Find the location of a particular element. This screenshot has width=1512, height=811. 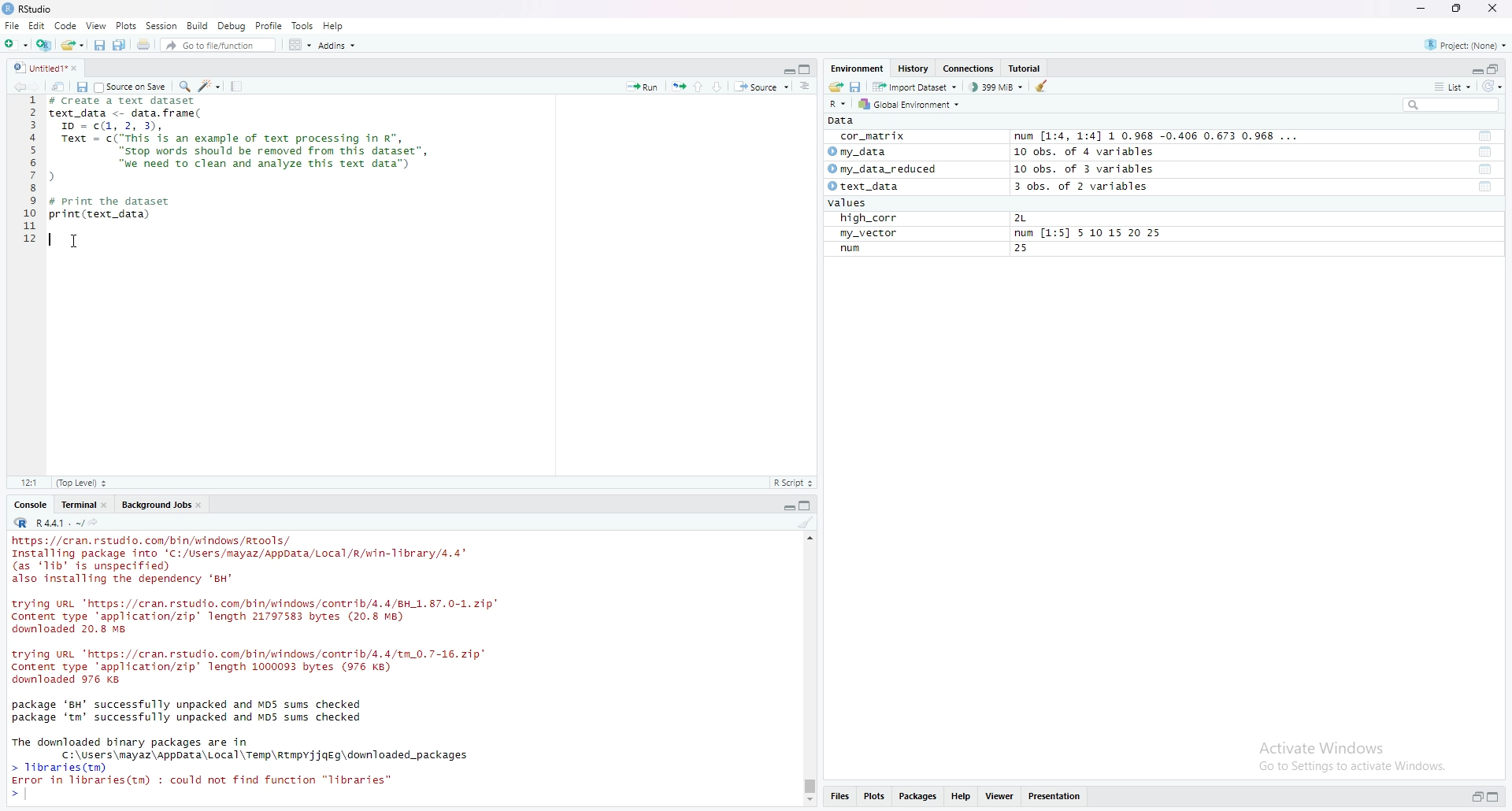

open an existing file is located at coordinates (73, 46).